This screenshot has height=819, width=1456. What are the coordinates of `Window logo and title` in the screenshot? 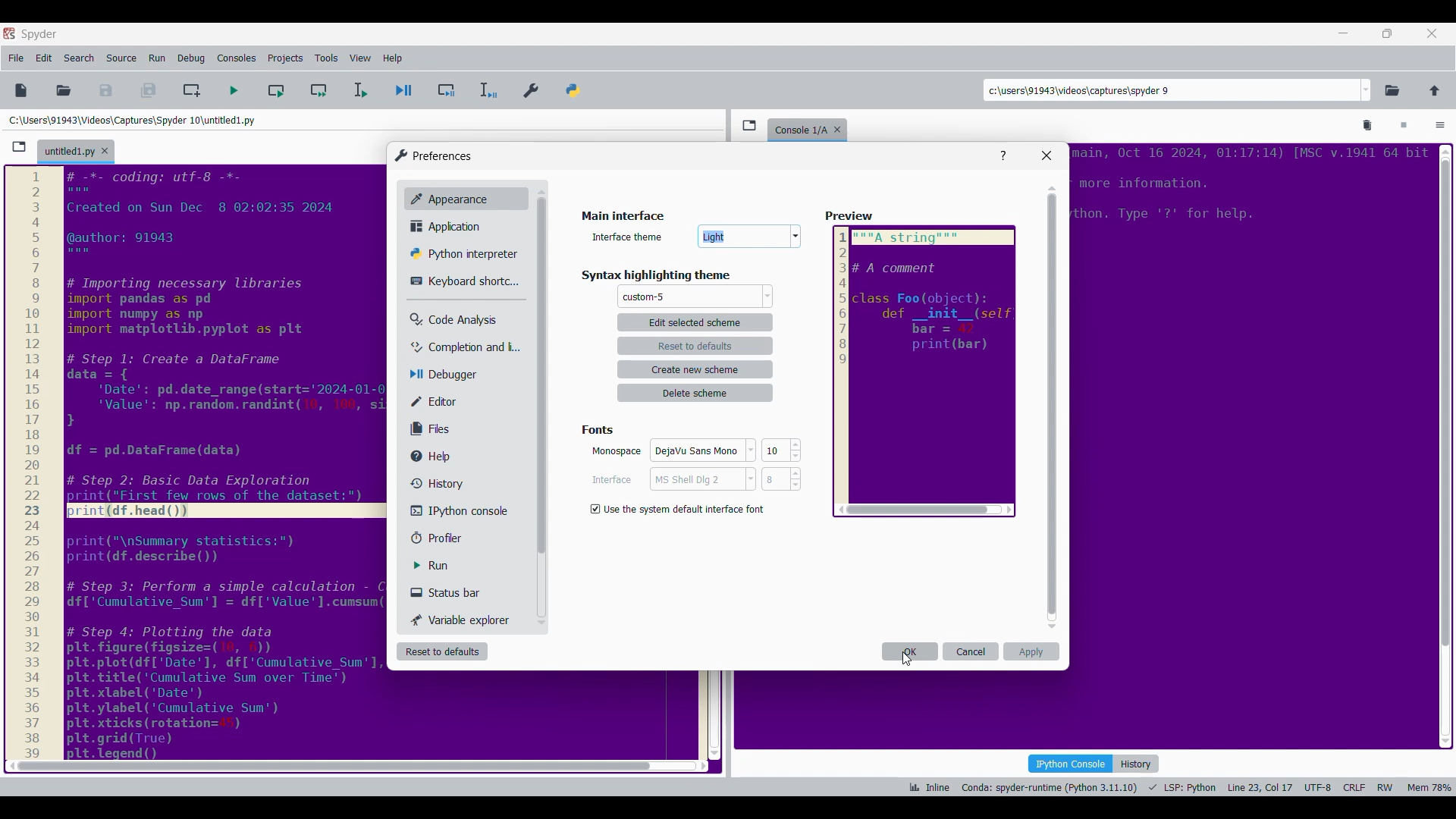 It's located at (434, 155).